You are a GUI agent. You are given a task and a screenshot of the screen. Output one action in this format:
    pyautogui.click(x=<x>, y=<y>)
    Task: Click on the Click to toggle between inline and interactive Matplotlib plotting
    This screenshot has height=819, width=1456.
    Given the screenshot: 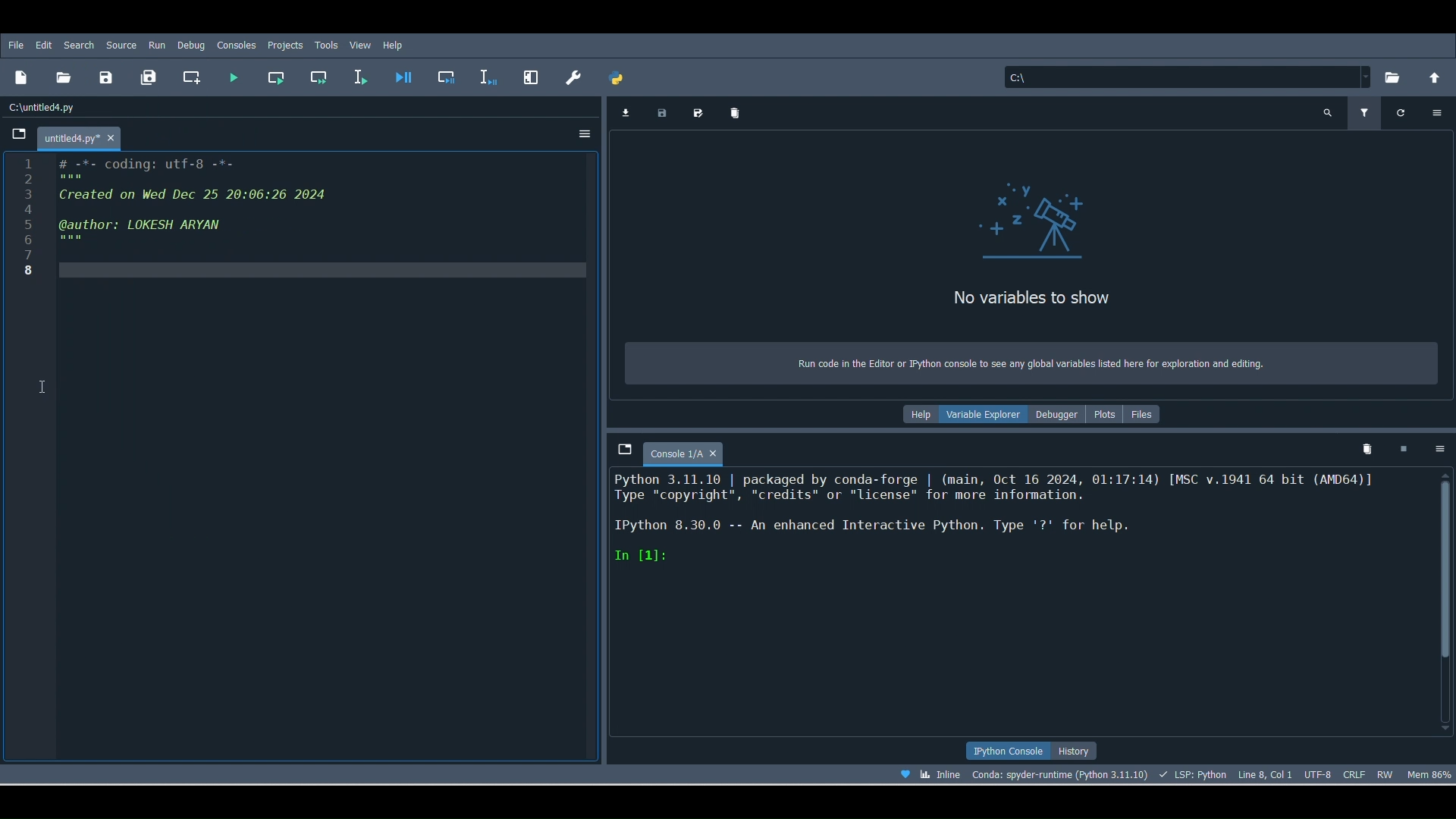 What is the action you would take?
    pyautogui.click(x=942, y=774)
    